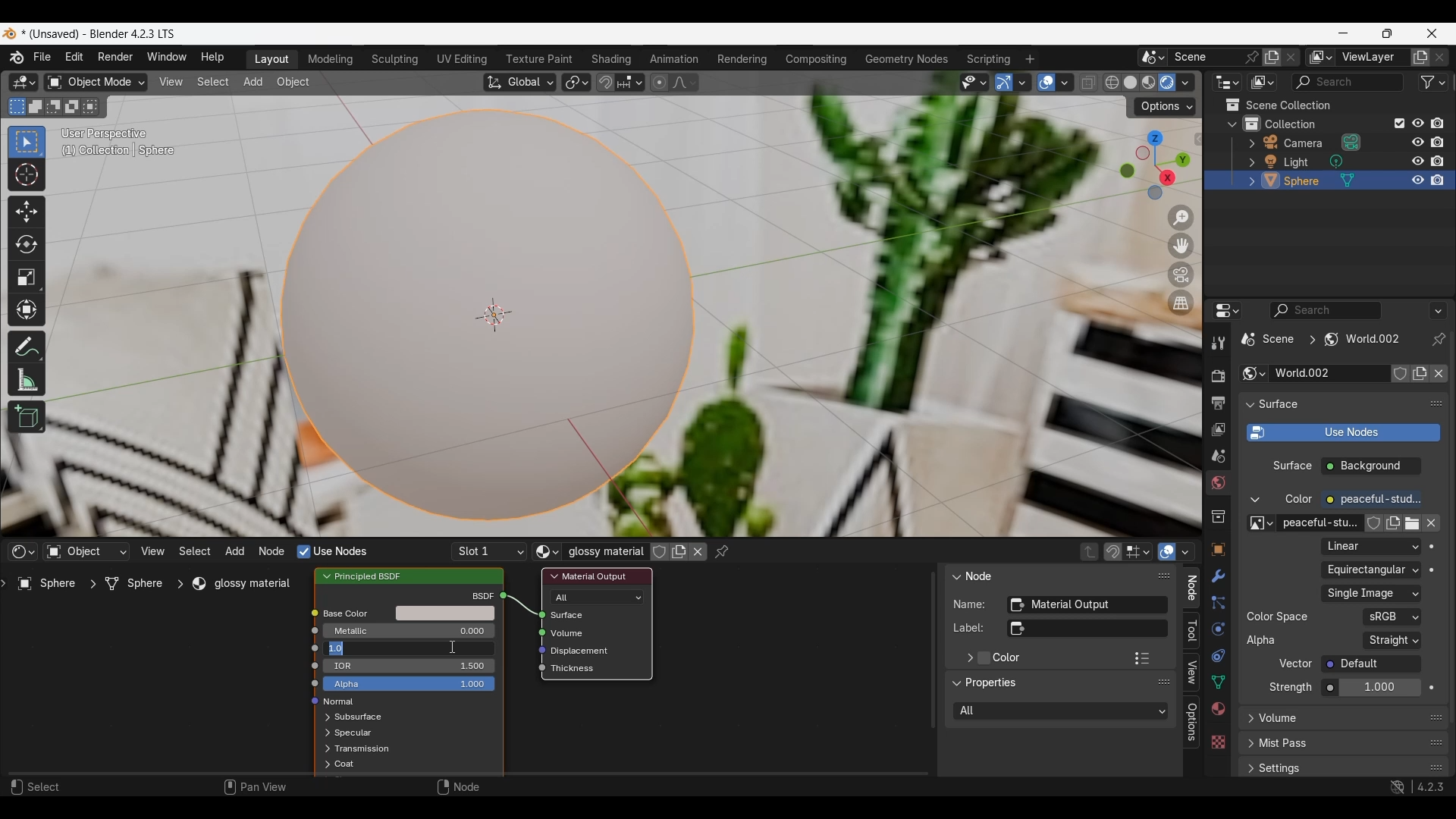 The image size is (1456, 819). I want to click on Expand, so click(968, 657).